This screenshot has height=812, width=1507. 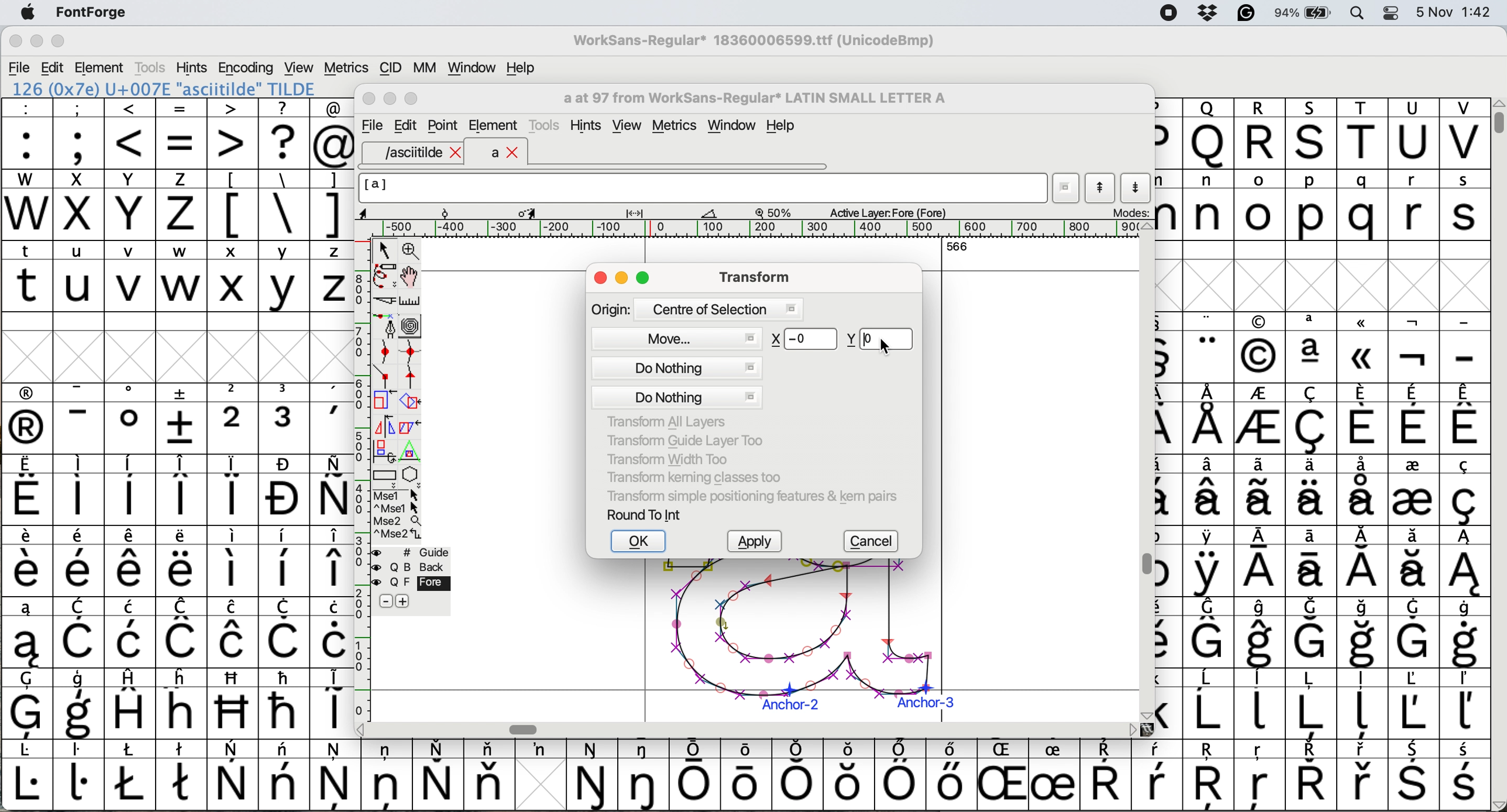 I want to click on symbol, so click(x=1412, y=703).